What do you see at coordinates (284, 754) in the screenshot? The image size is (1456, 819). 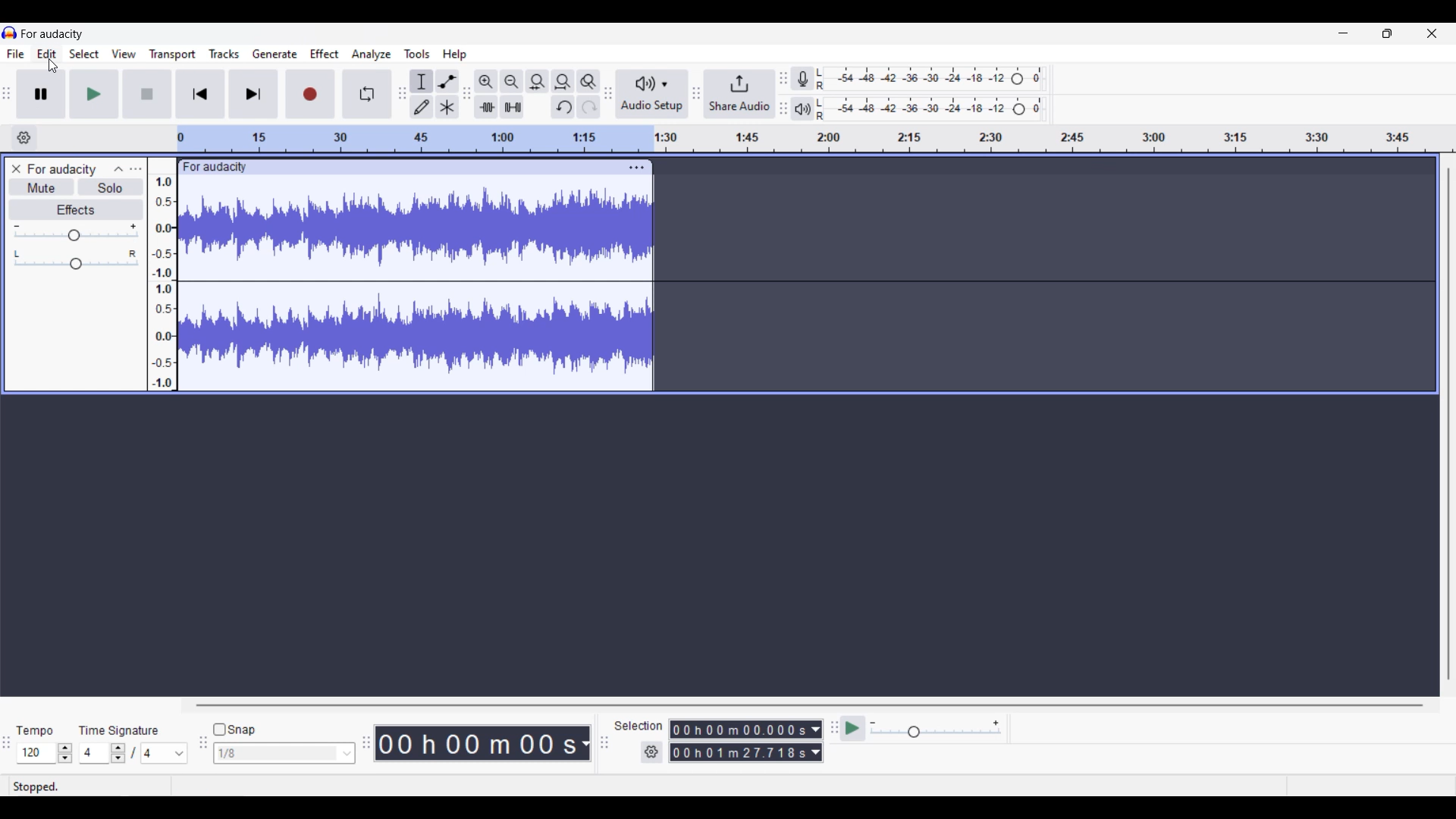 I see `Snap options` at bounding box center [284, 754].